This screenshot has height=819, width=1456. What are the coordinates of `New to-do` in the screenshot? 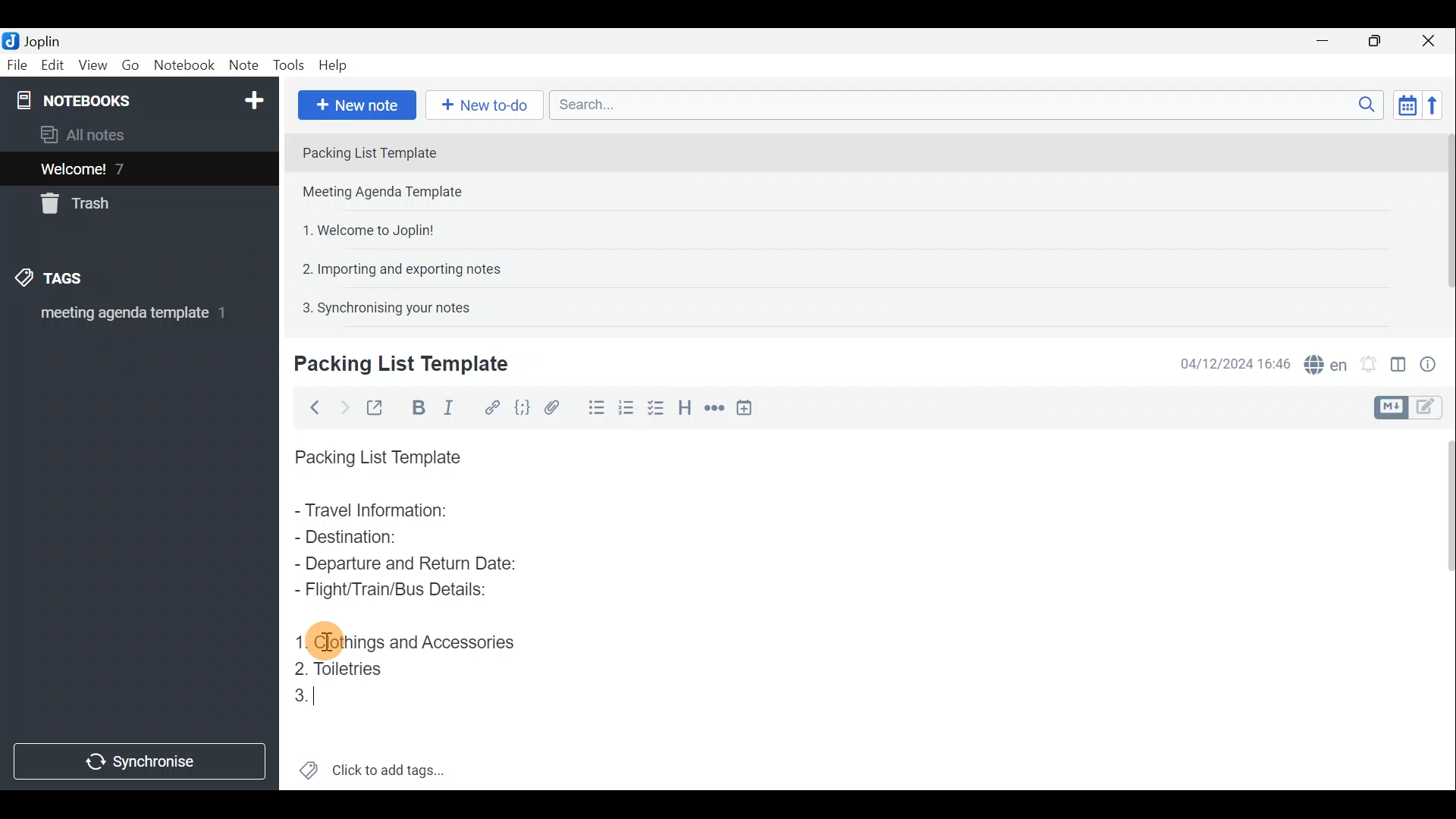 It's located at (485, 105).